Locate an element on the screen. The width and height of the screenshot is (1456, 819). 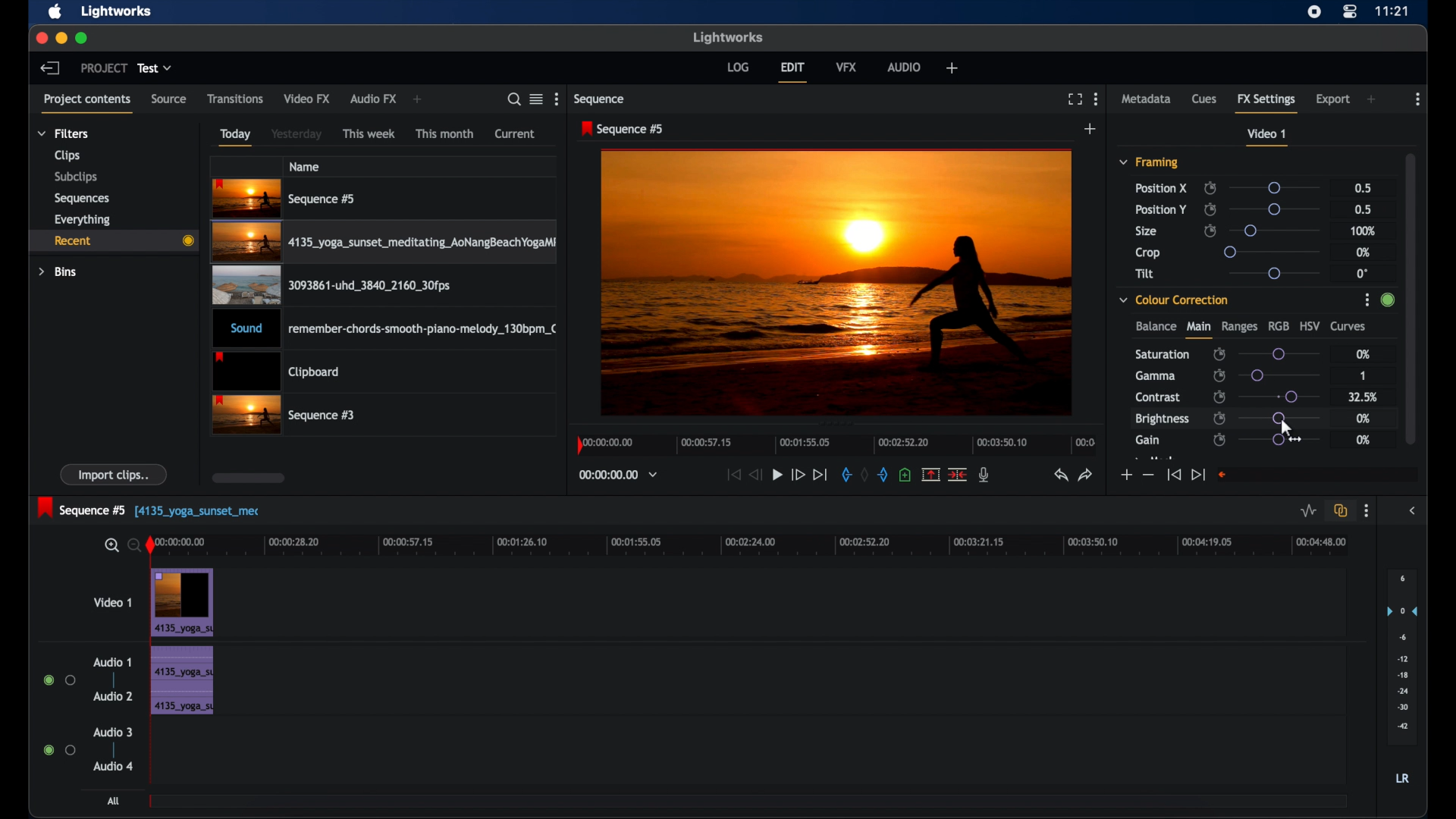
more options is located at coordinates (1418, 99).